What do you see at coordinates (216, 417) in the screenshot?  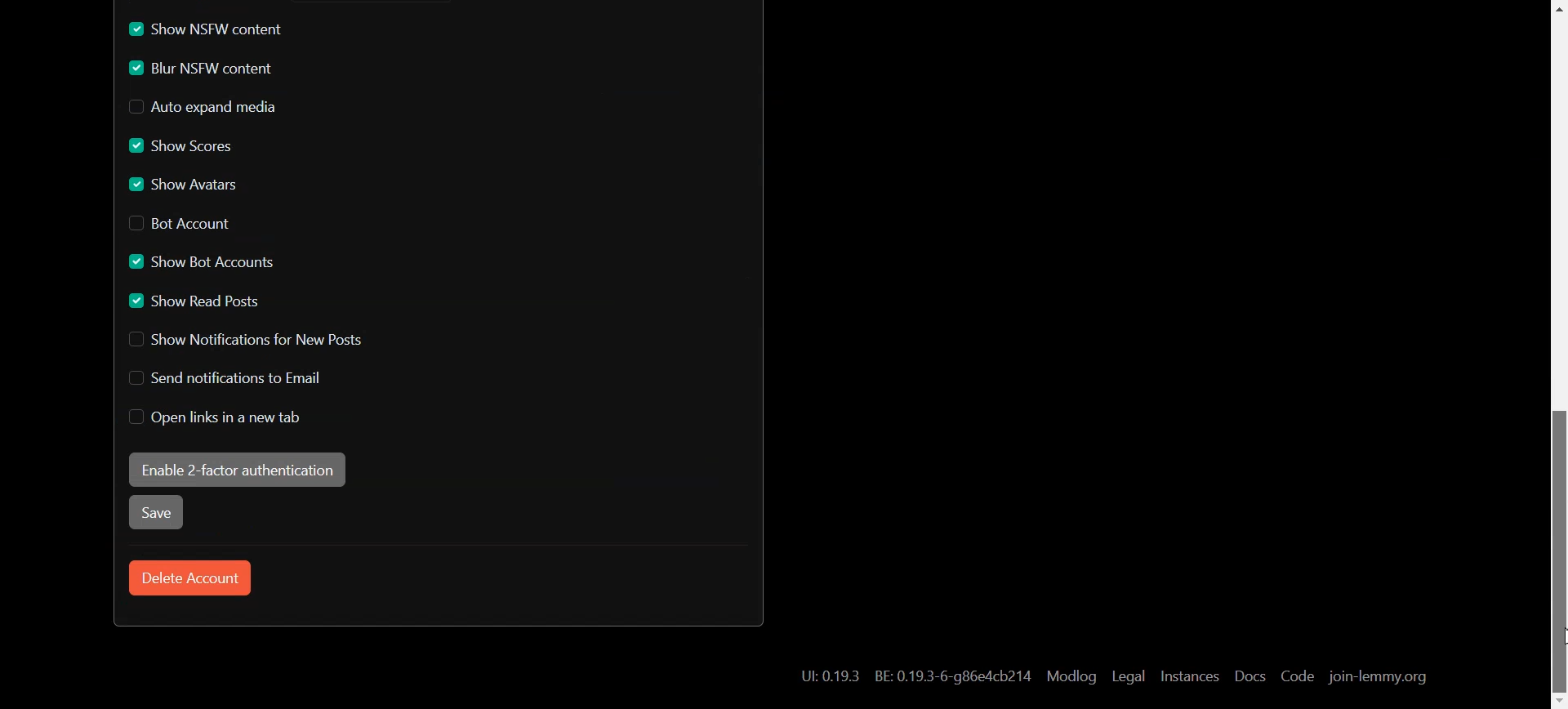 I see `Disable Open links in new tab` at bounding box center [216, 417].